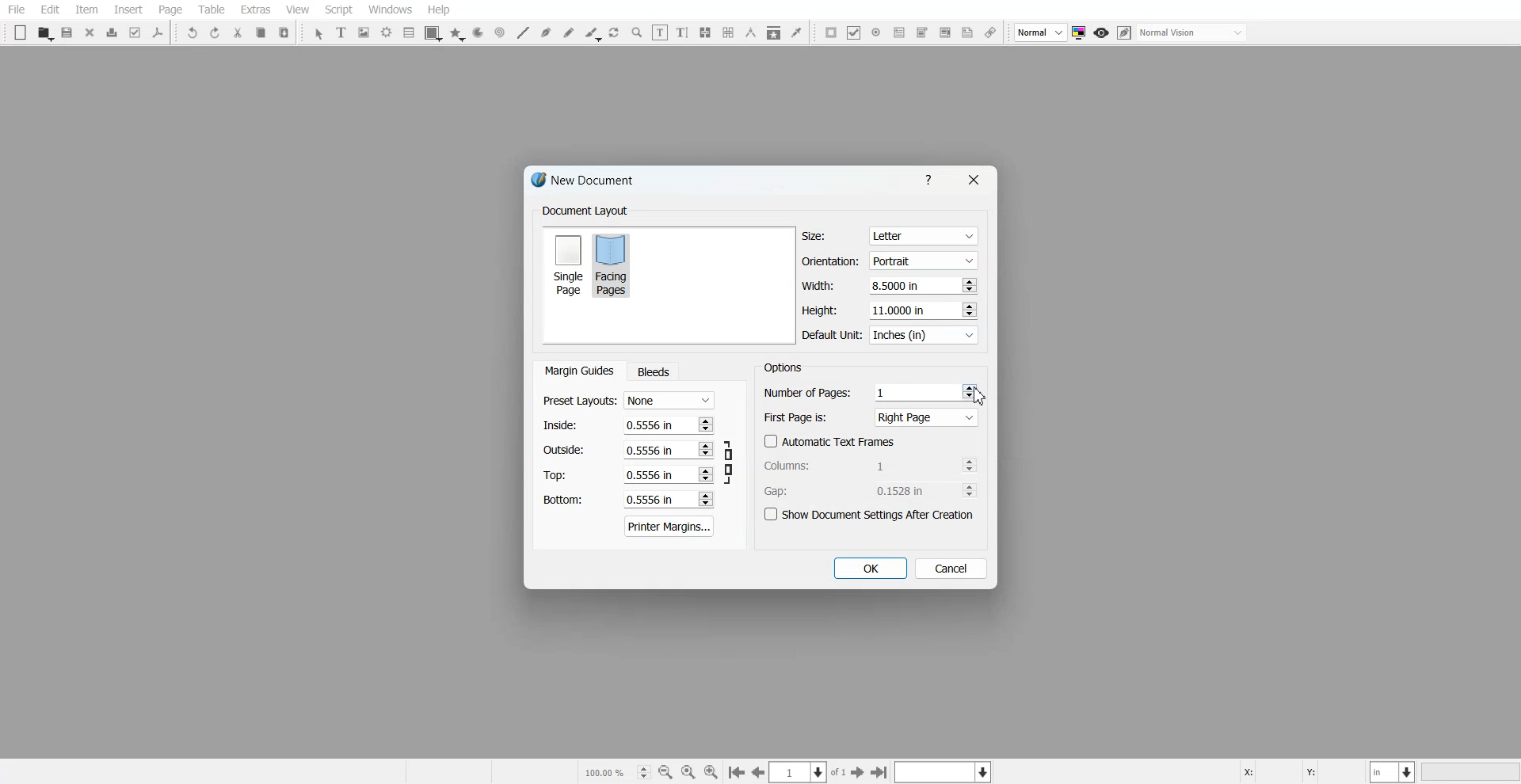 The image size is (1521, 784). What do you see at coordinates (339, 10) in the screenshot?
I see `Script` at bounding box center [339, 10].